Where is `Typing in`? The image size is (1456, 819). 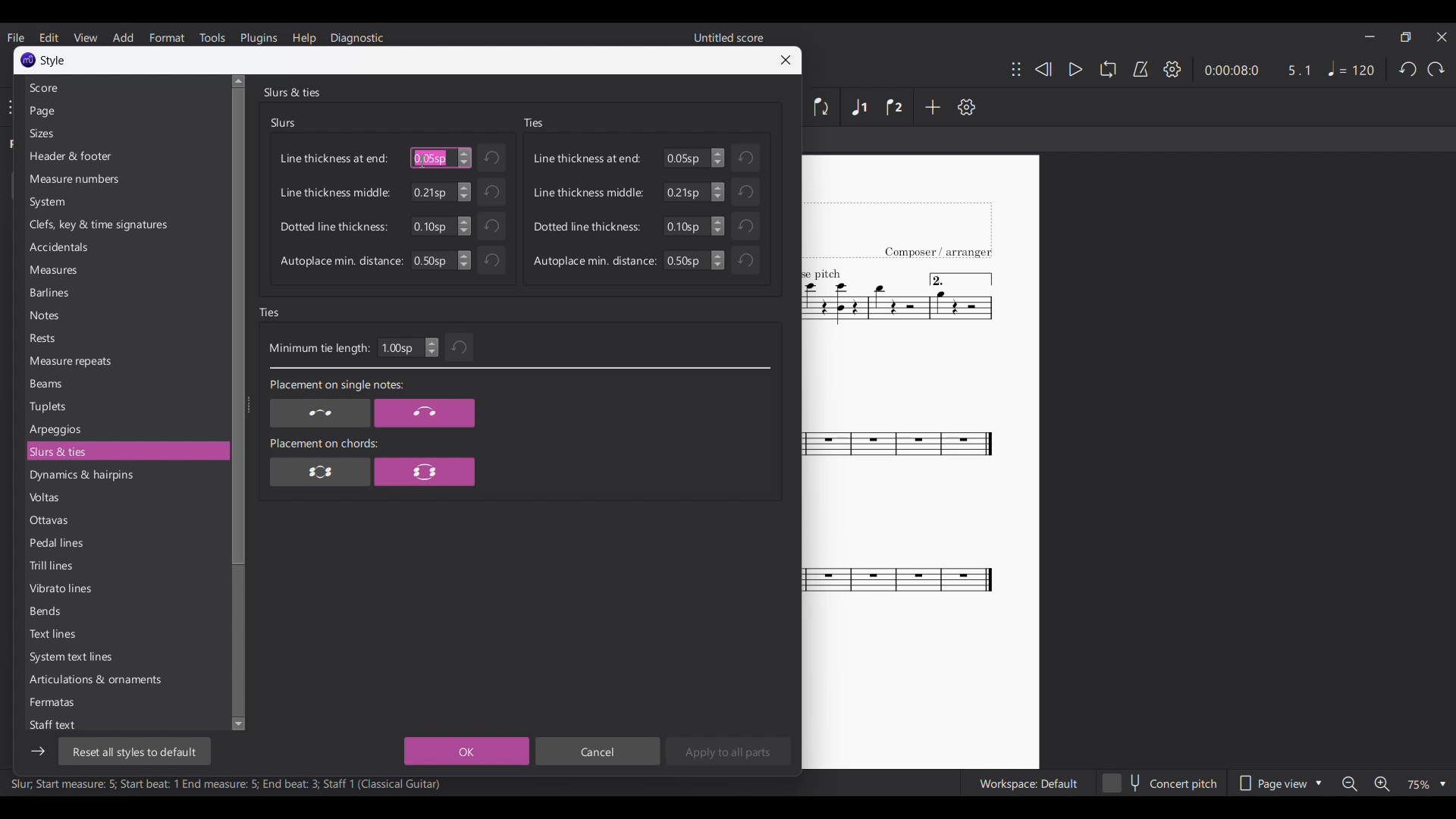 Typing in is located at coordinates (431, 158).